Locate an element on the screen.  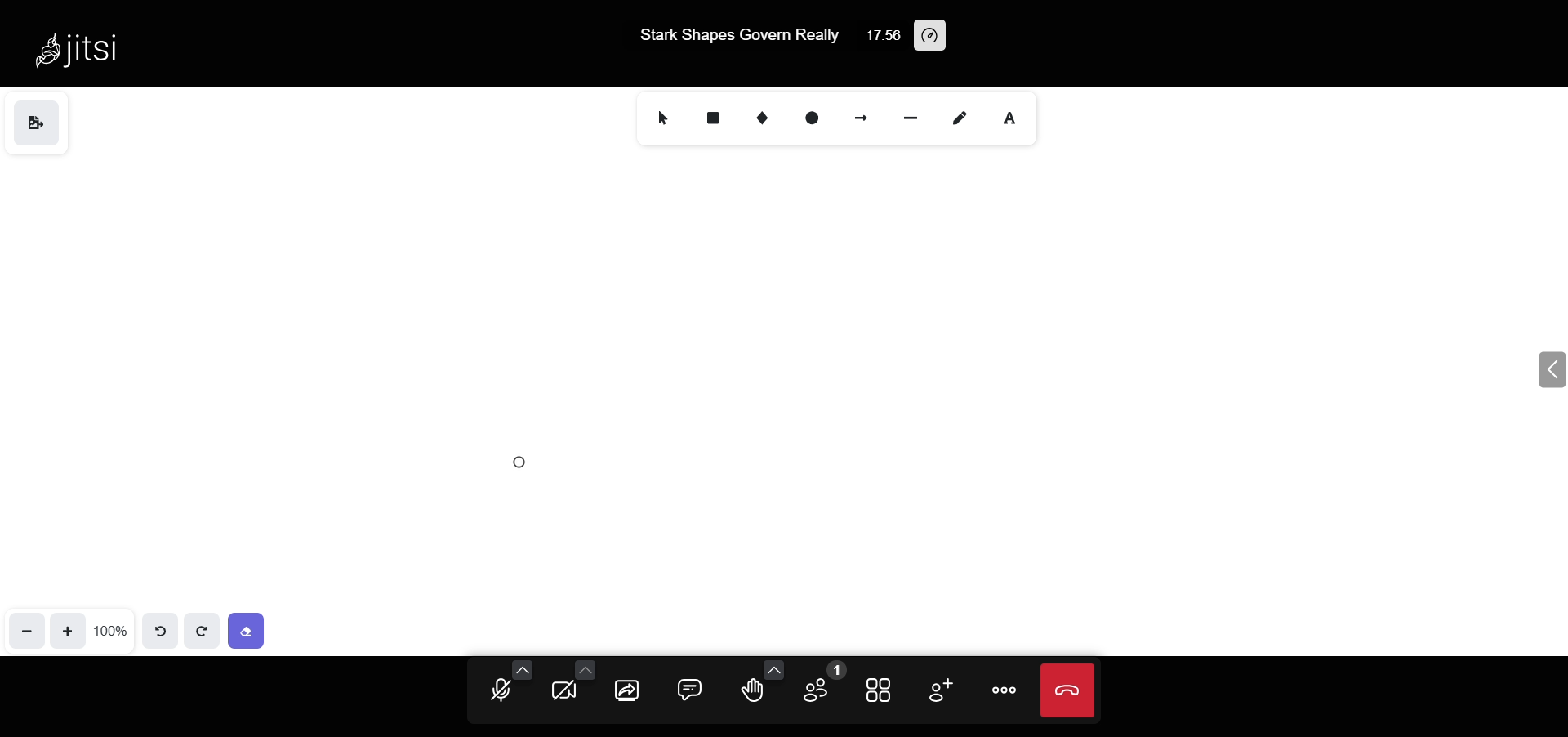
draw is located at coordinates (961, 118).